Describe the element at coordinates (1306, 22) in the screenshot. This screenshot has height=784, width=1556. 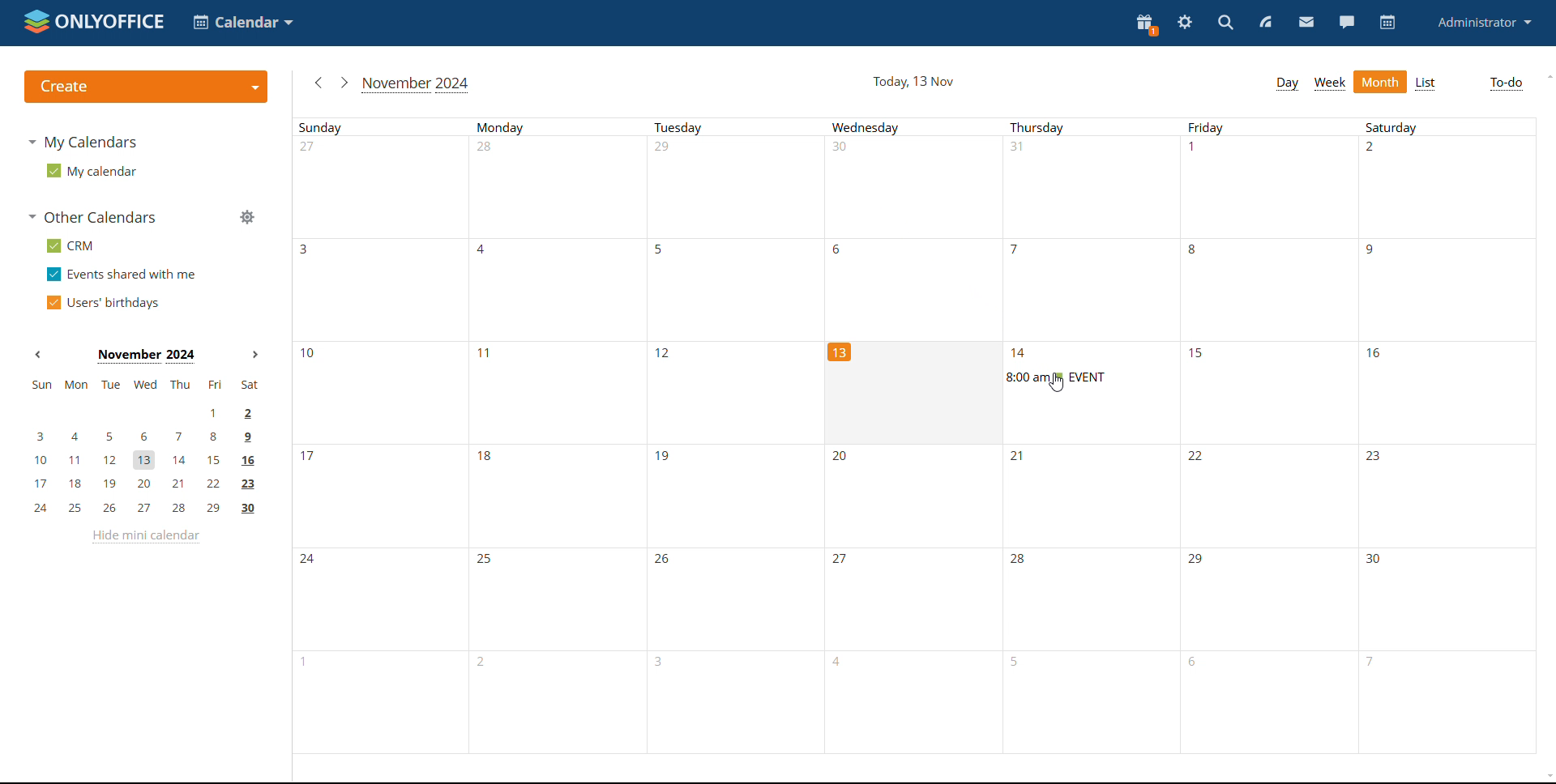
I see `mail` at that location.